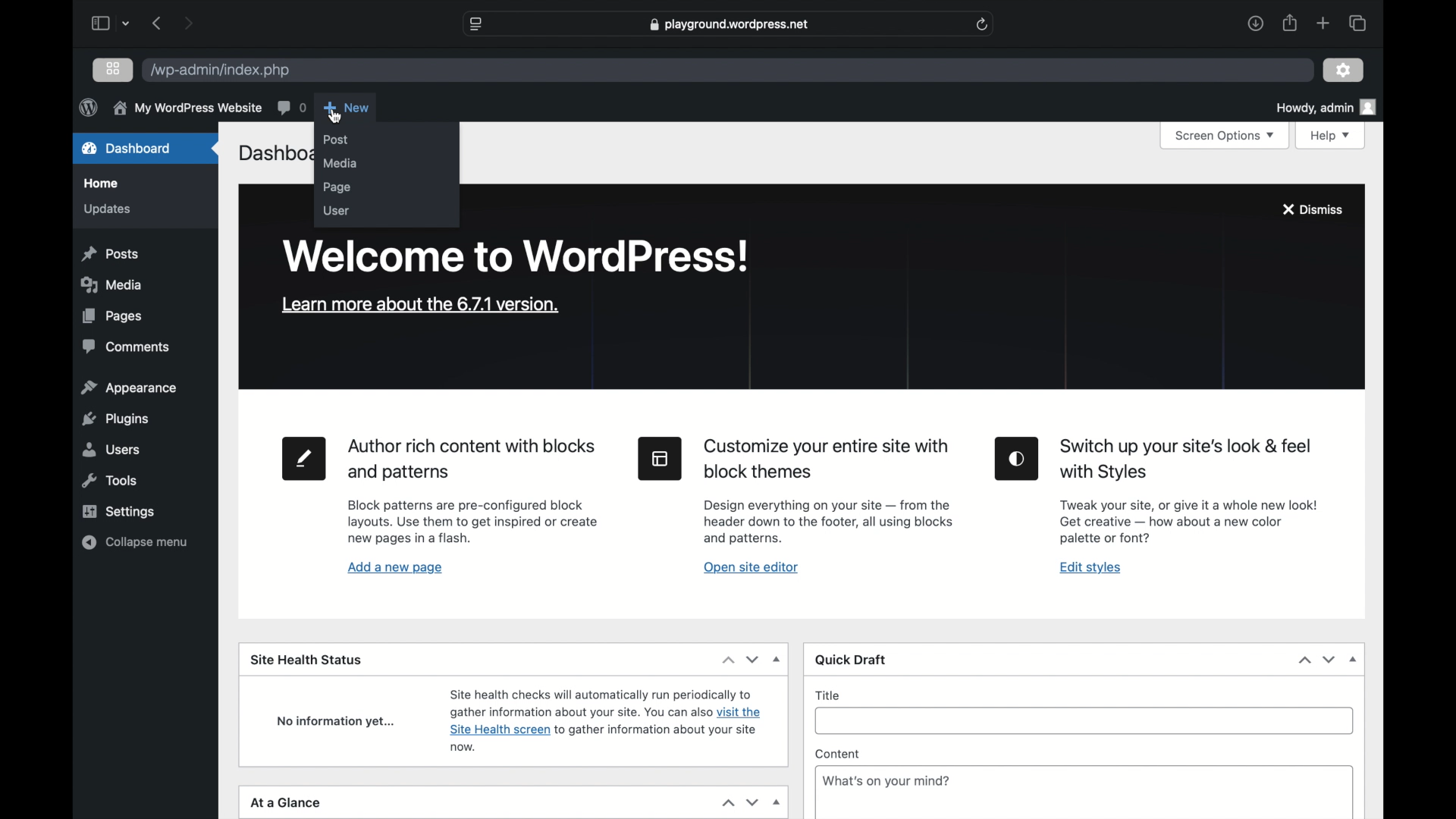  I want to click on learn more about the 6.7.1 version, so click(420, 305).